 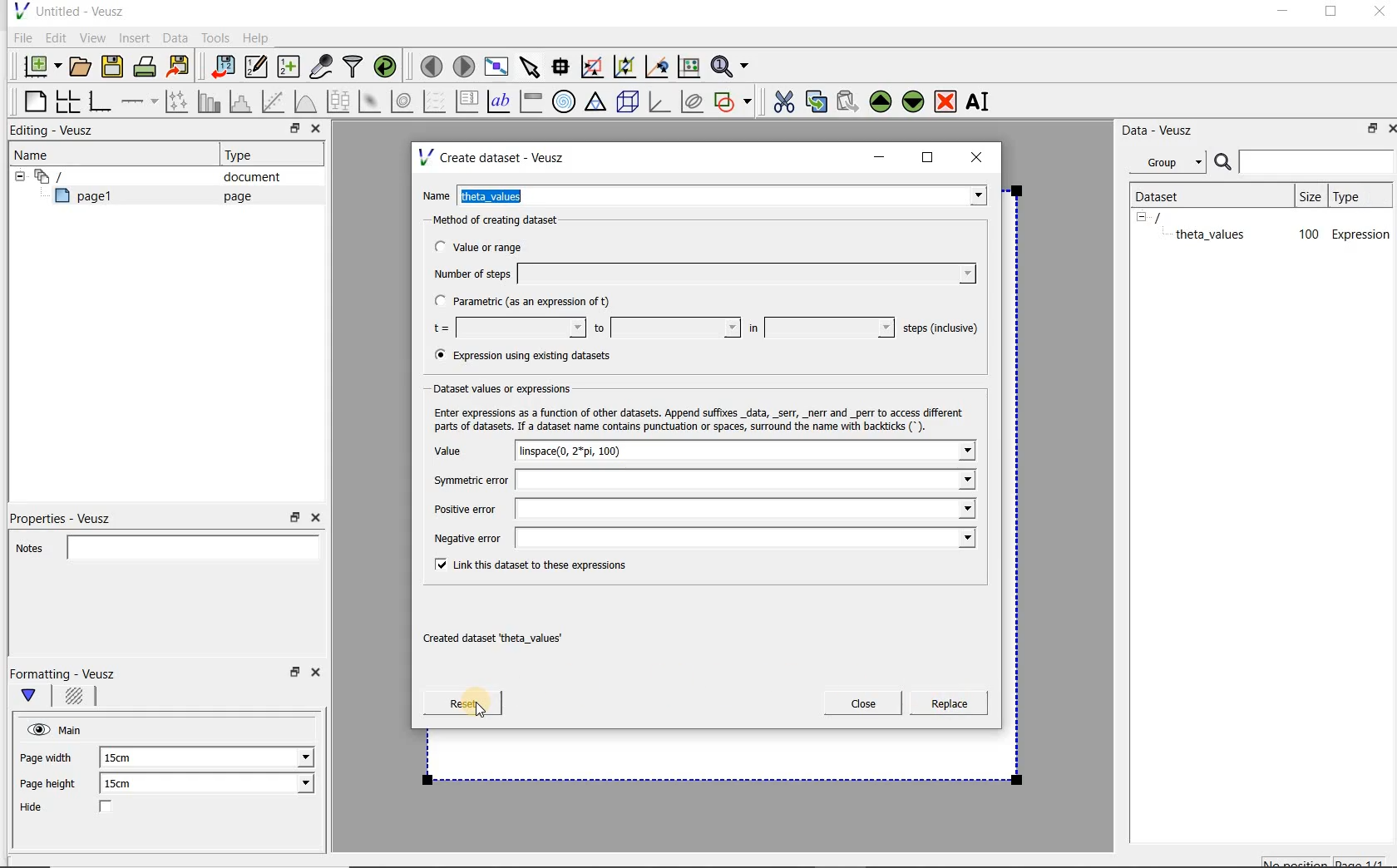 I want to click on add an axis to a plot, so click(x=141, y=101).